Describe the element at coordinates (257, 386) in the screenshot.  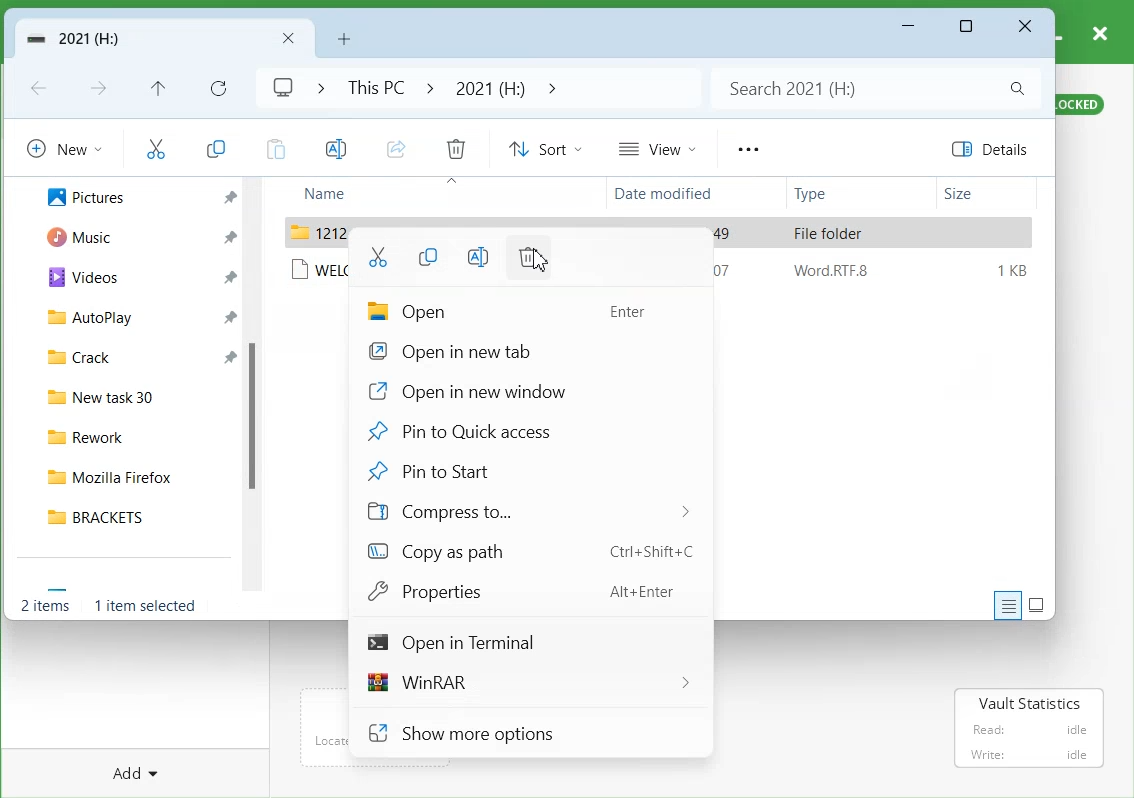
I see `scrollbar` at that location.